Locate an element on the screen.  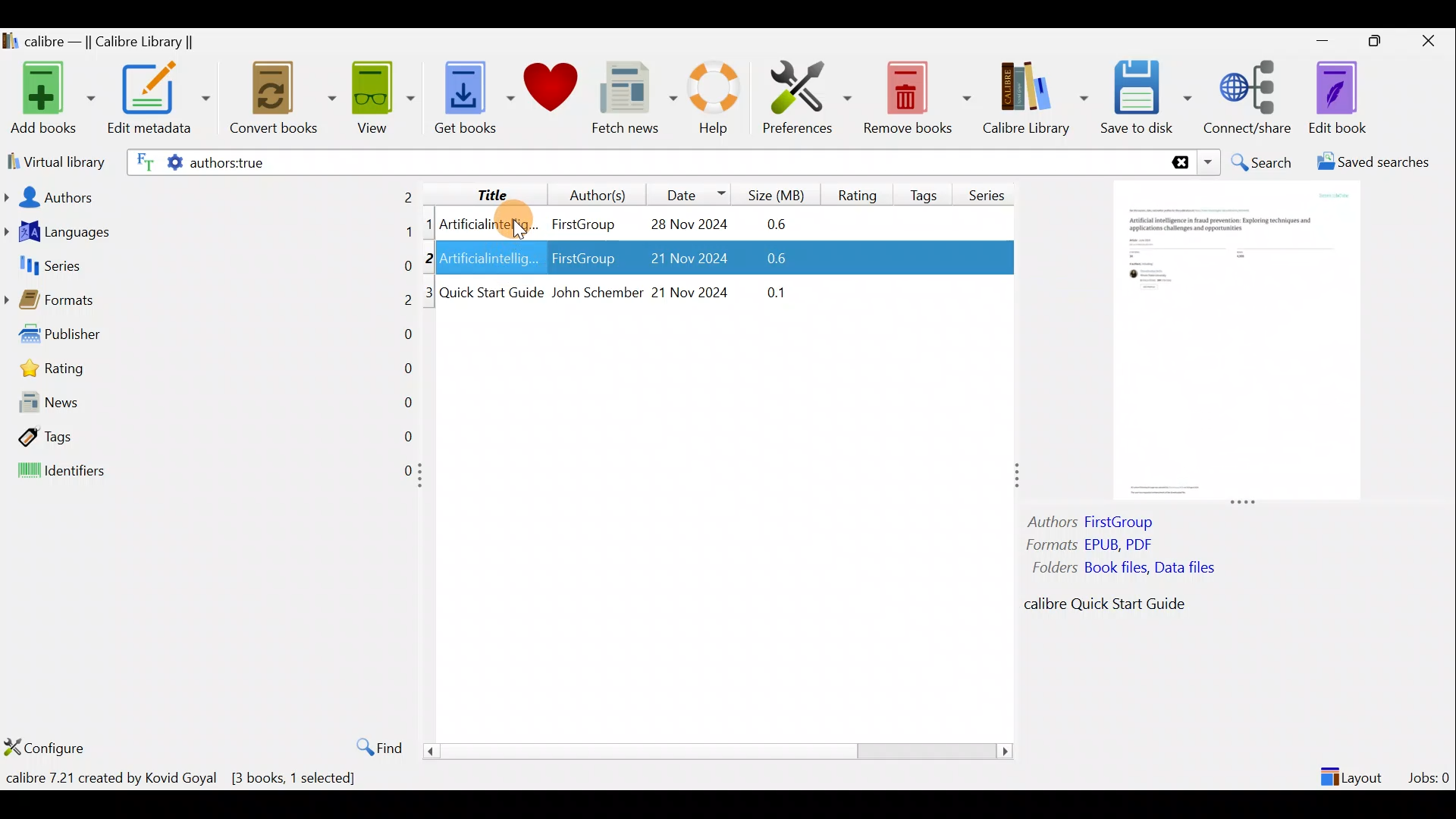
1 is located at coordinates (429, 225).